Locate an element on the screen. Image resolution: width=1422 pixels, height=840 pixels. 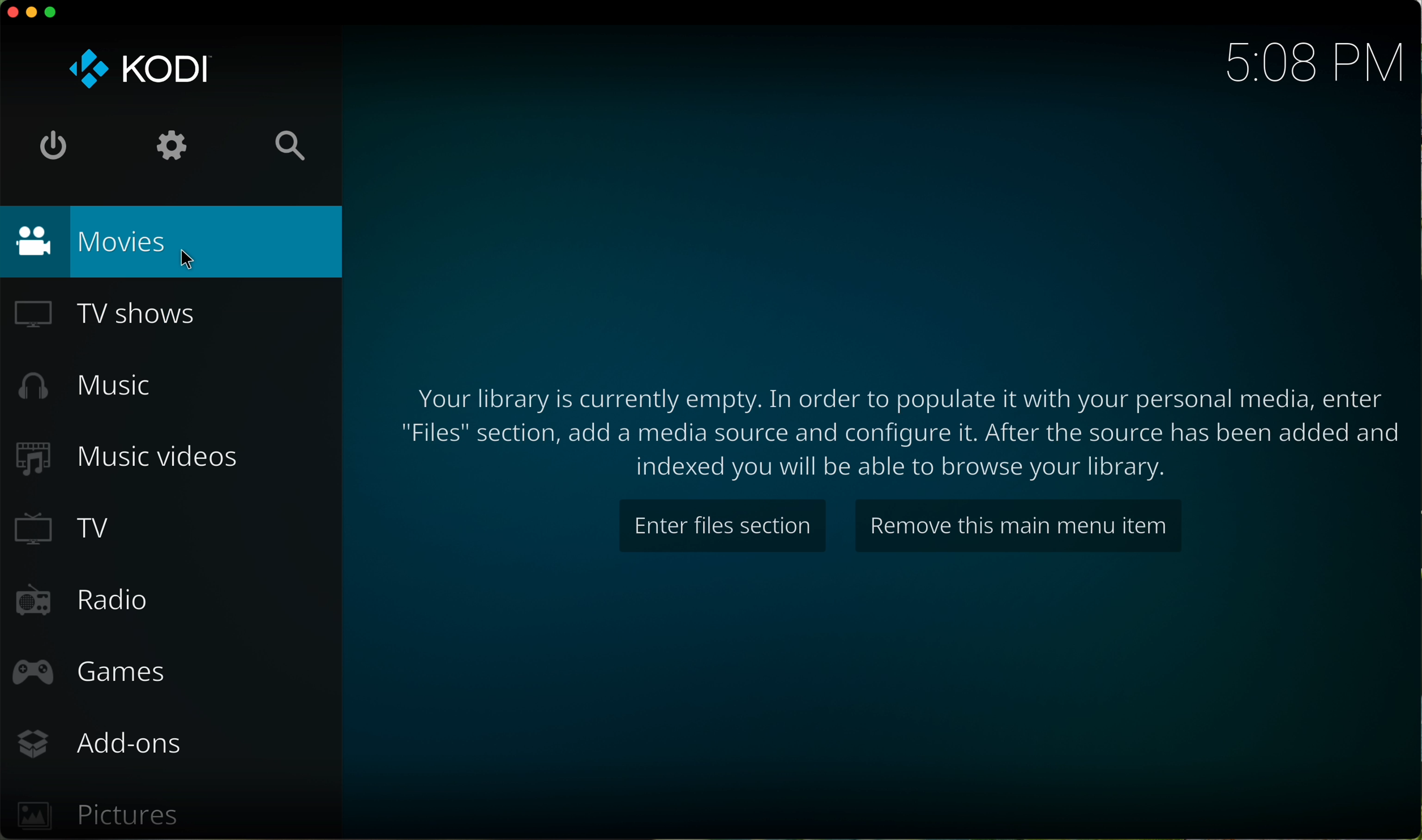
maximize is located at coordinates (52, 12).